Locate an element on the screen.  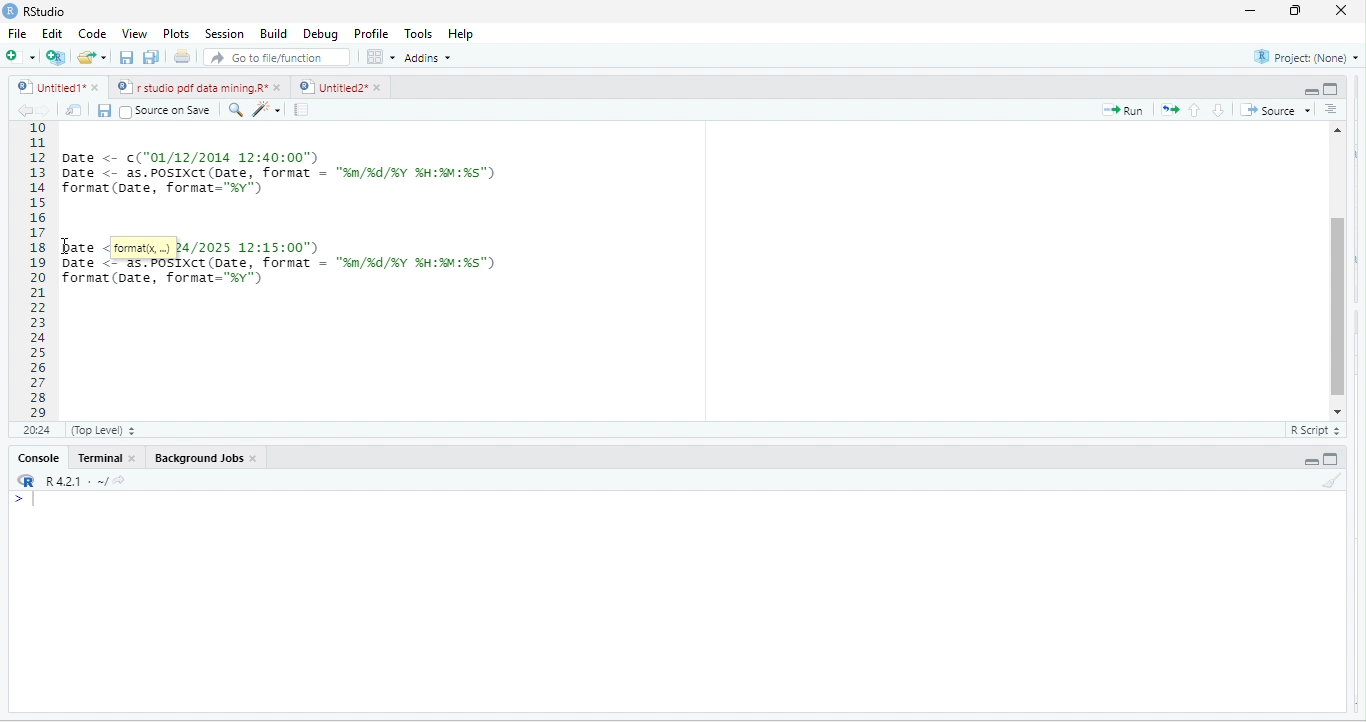
close is located at coordinates (281, 87).